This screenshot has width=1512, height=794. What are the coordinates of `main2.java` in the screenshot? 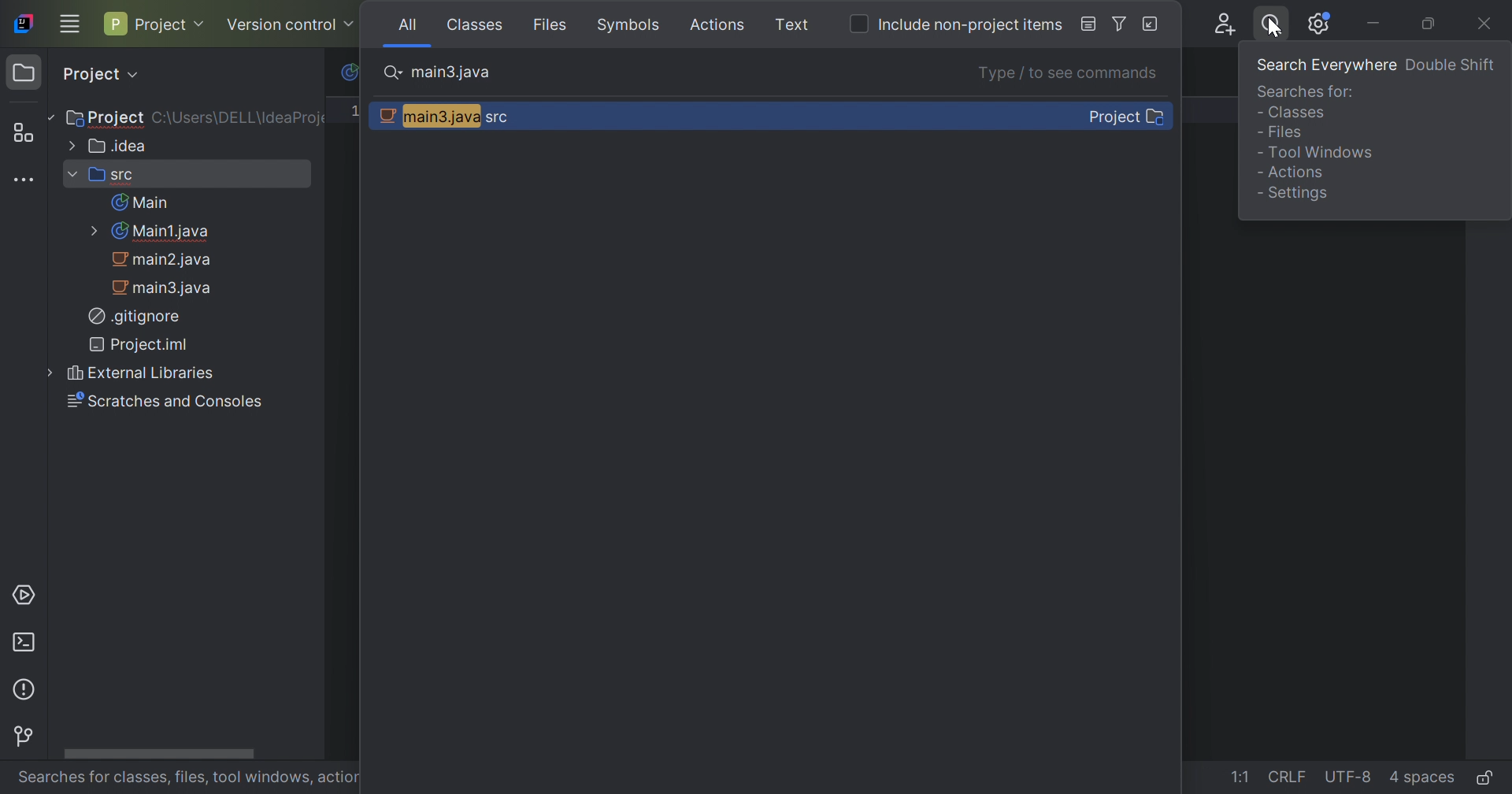 It's located at (165, 260).